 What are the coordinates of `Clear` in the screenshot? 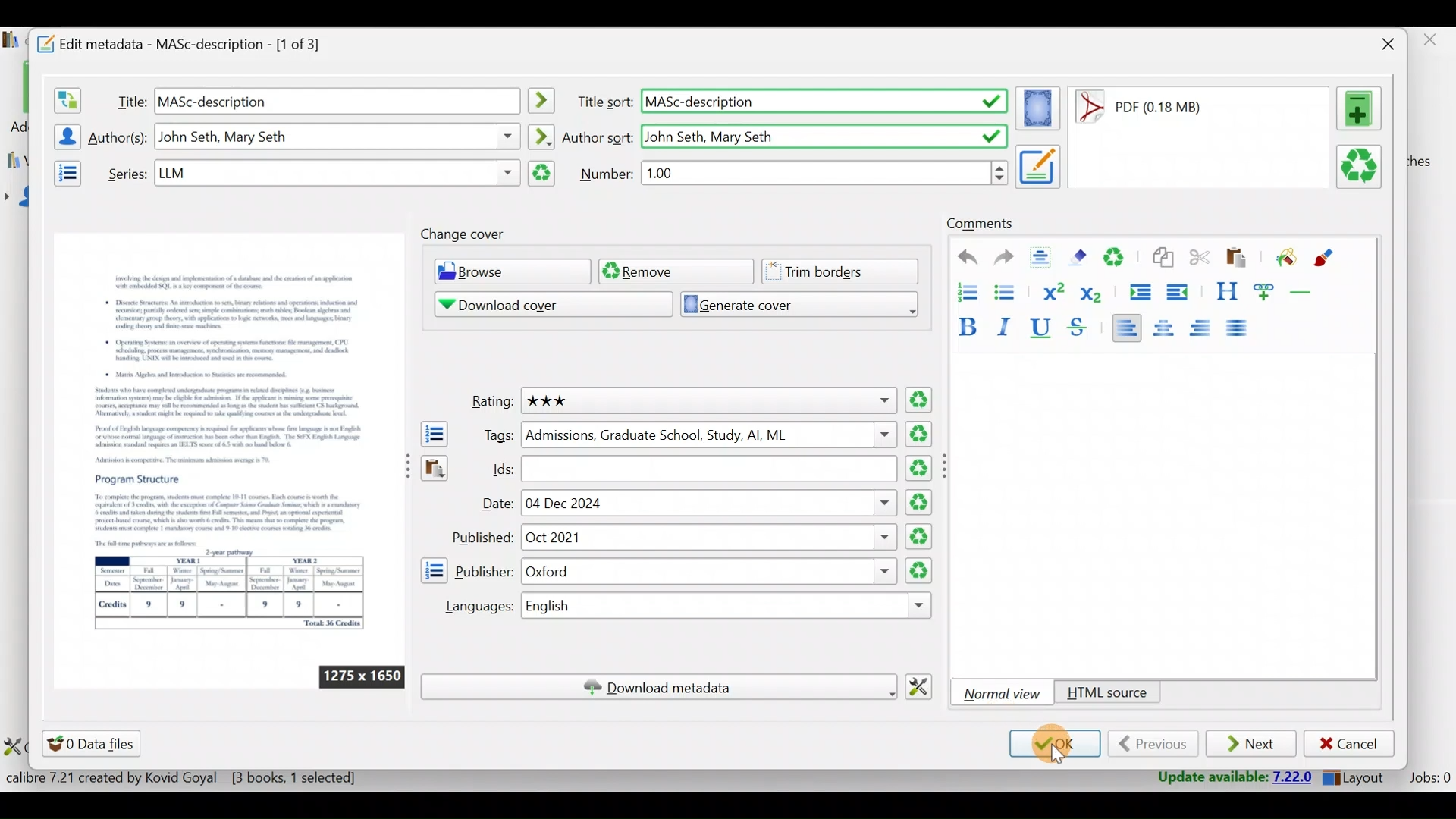 It's located at (1120, 259).